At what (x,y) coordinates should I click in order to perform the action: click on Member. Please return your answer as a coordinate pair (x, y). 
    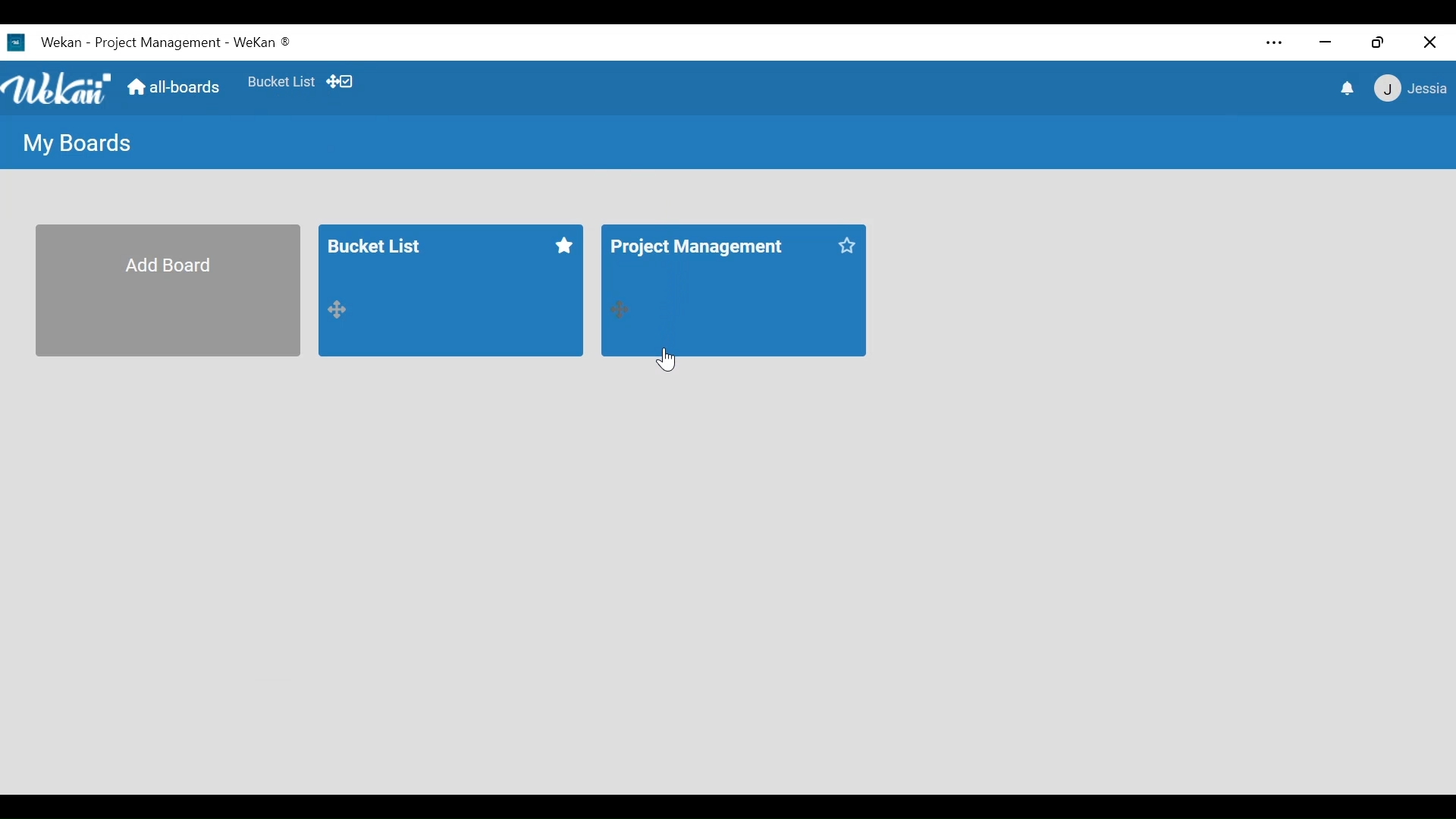
    Looking at the image, I should click on (1412, 89).